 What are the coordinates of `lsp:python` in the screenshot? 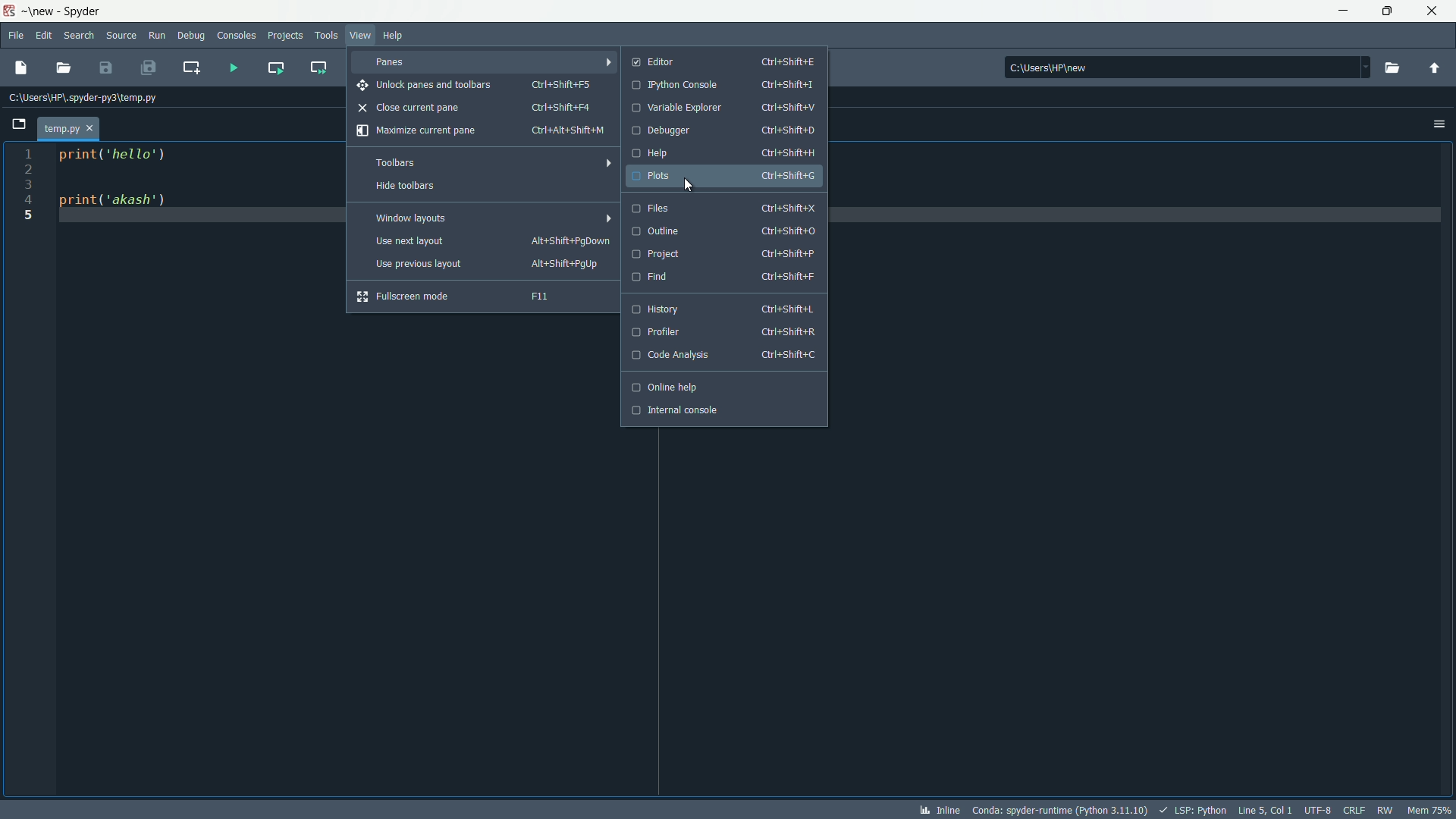 It's located at (1194, 811).